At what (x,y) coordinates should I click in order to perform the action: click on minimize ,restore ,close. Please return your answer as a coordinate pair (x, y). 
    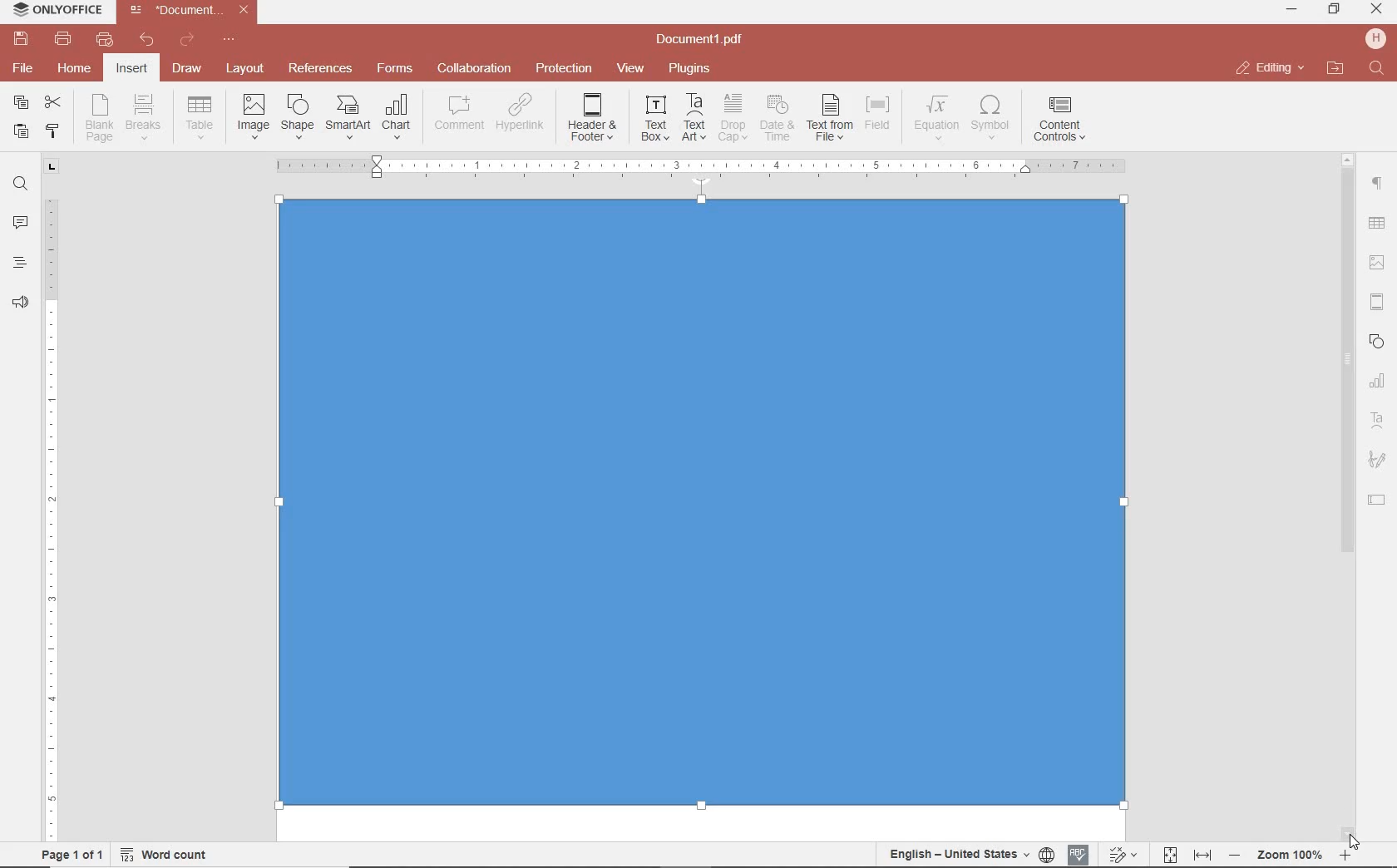
    Looking at the image, I should click on (1380, 10).